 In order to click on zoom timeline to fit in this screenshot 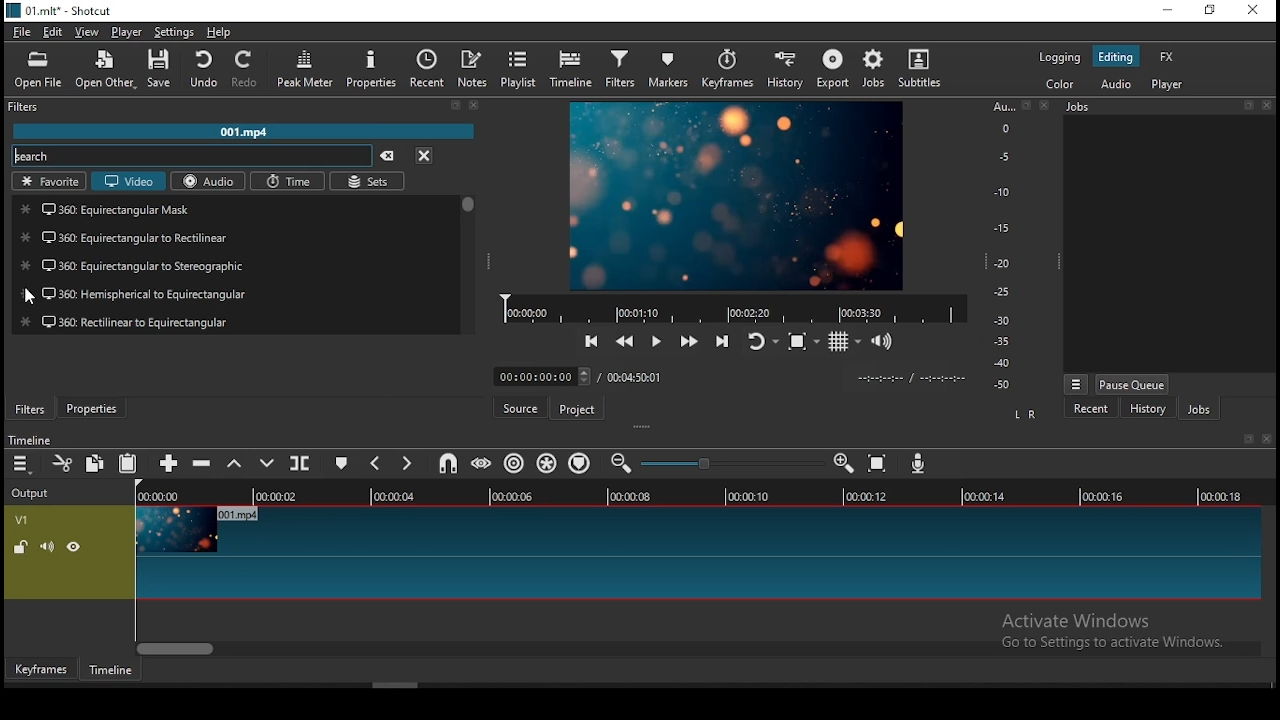, I will do `click(883, 466)`.